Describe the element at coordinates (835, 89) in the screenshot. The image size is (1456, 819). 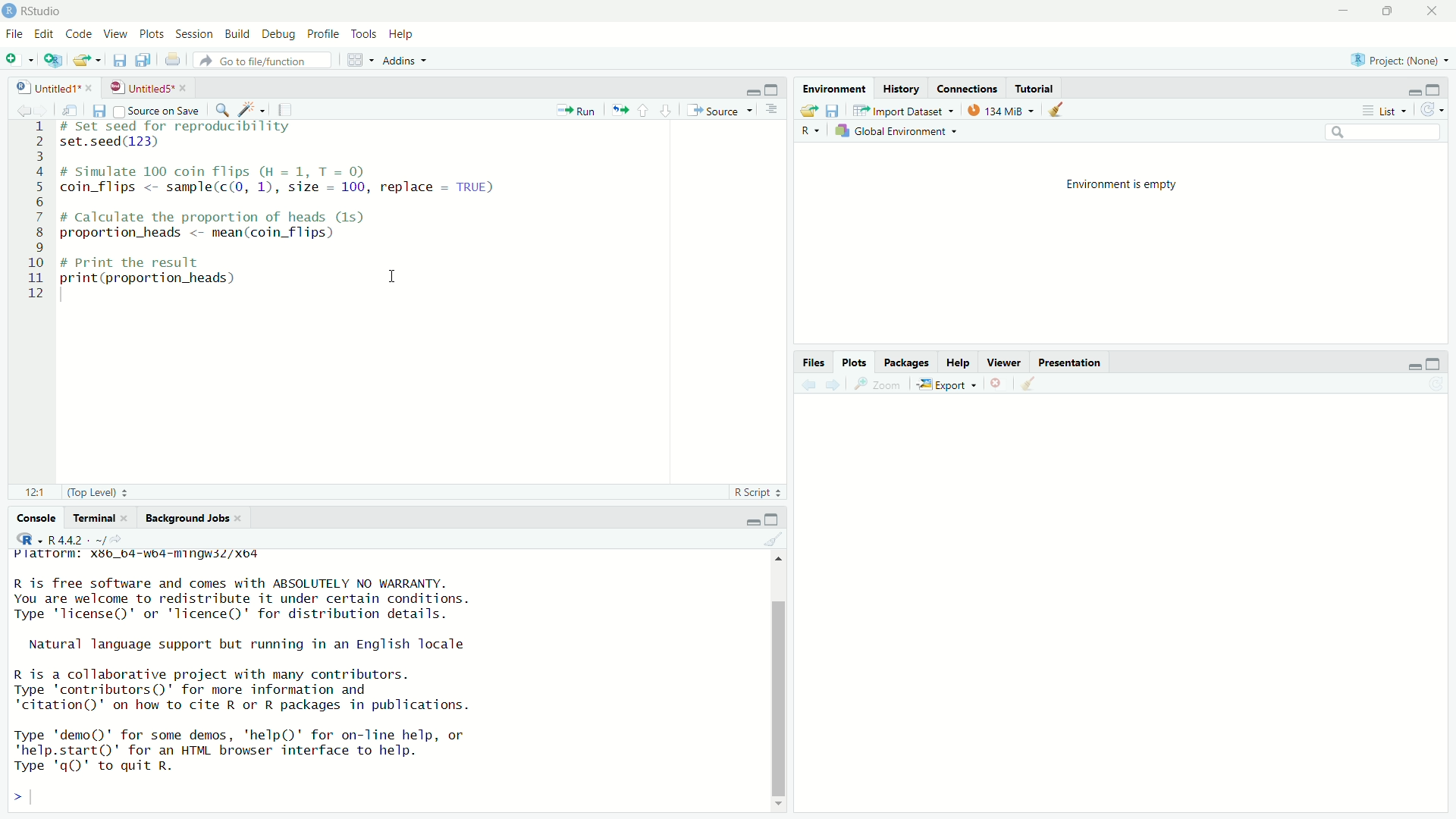
I see `Environment` at that location.